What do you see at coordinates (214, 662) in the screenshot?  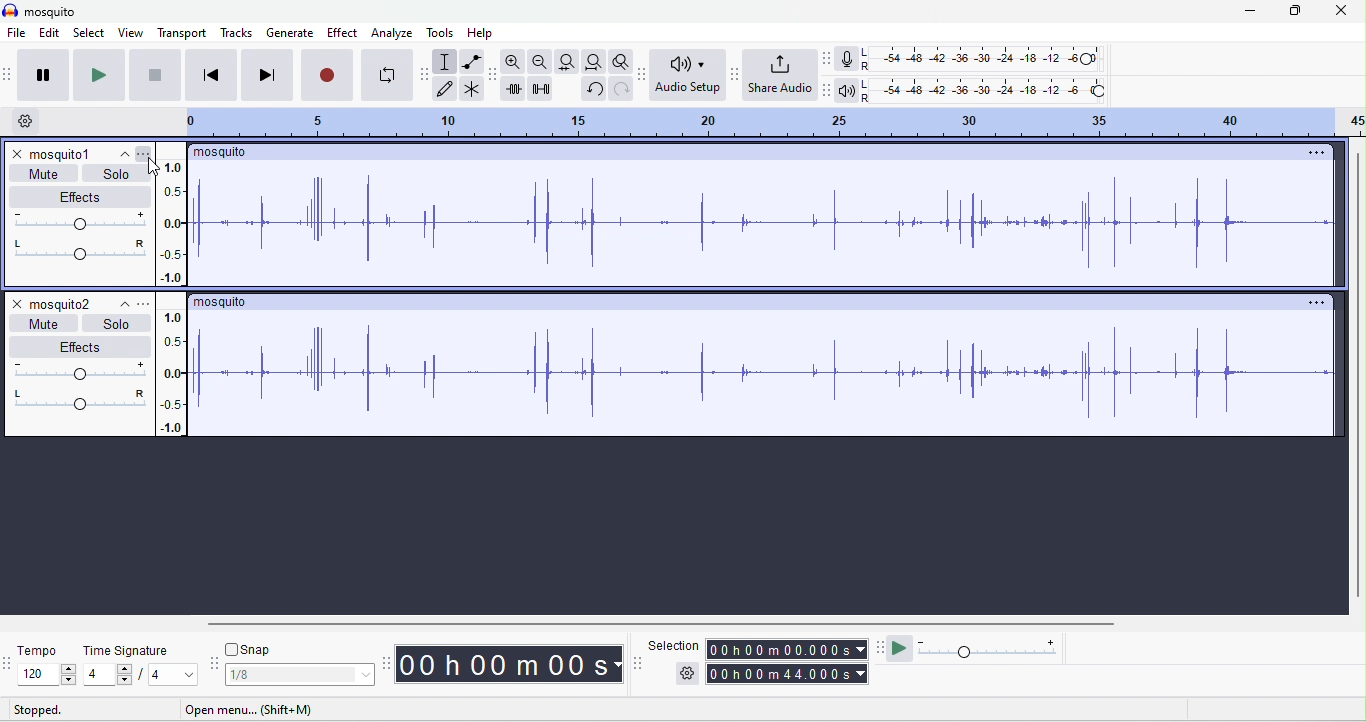 I see `snapping tool` at bounding box center [214, 662].